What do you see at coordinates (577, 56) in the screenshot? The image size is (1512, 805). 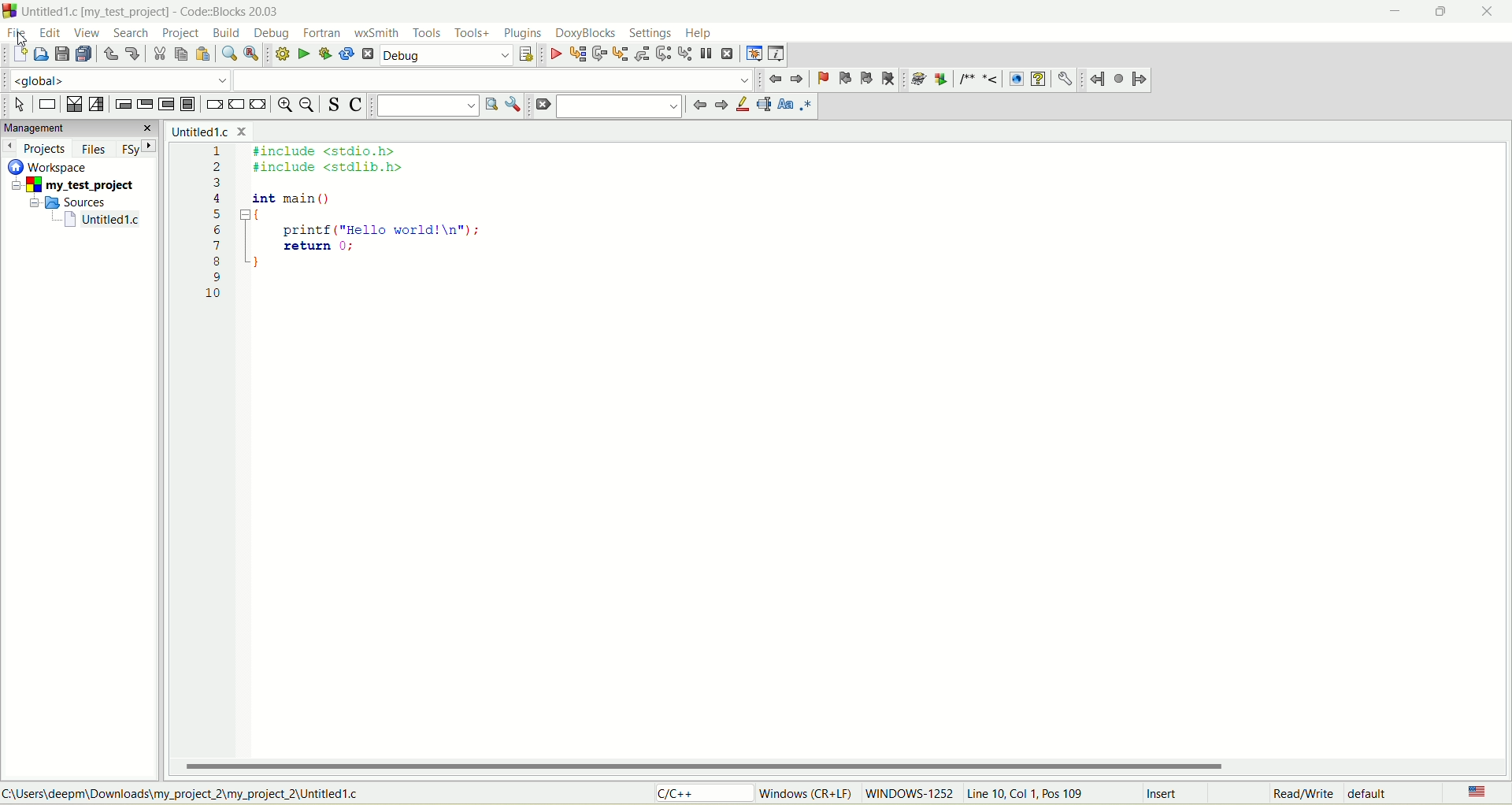 I see `run to cursor` at bounding box center [577, 56].